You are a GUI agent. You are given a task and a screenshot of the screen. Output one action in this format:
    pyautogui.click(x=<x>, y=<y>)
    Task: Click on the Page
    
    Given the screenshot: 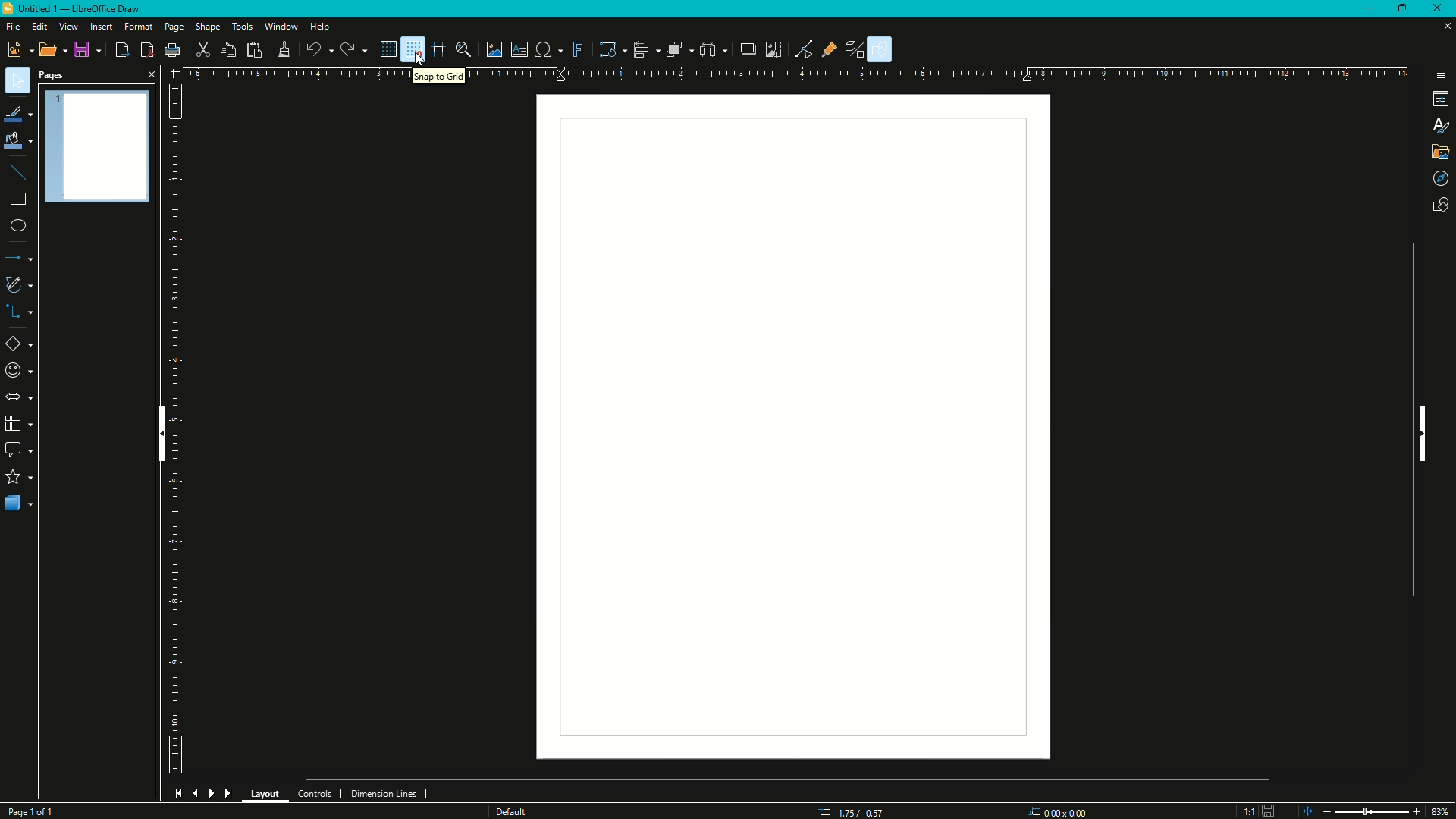 What is the action you would take?
    pyautogui.click(x=173, y=25)
    